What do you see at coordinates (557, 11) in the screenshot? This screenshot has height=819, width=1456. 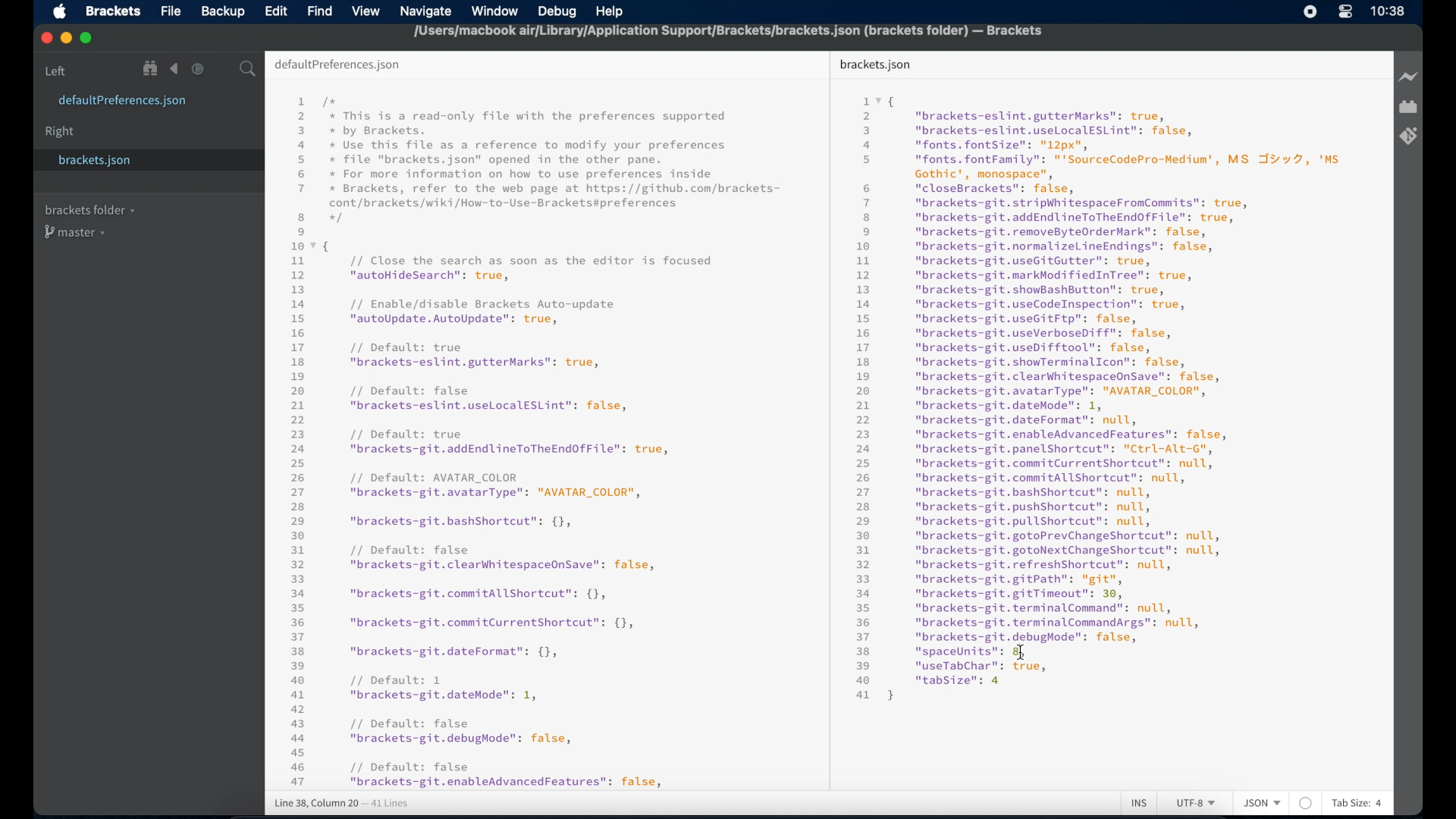 I see `debug` at bounding box center [557, 11].